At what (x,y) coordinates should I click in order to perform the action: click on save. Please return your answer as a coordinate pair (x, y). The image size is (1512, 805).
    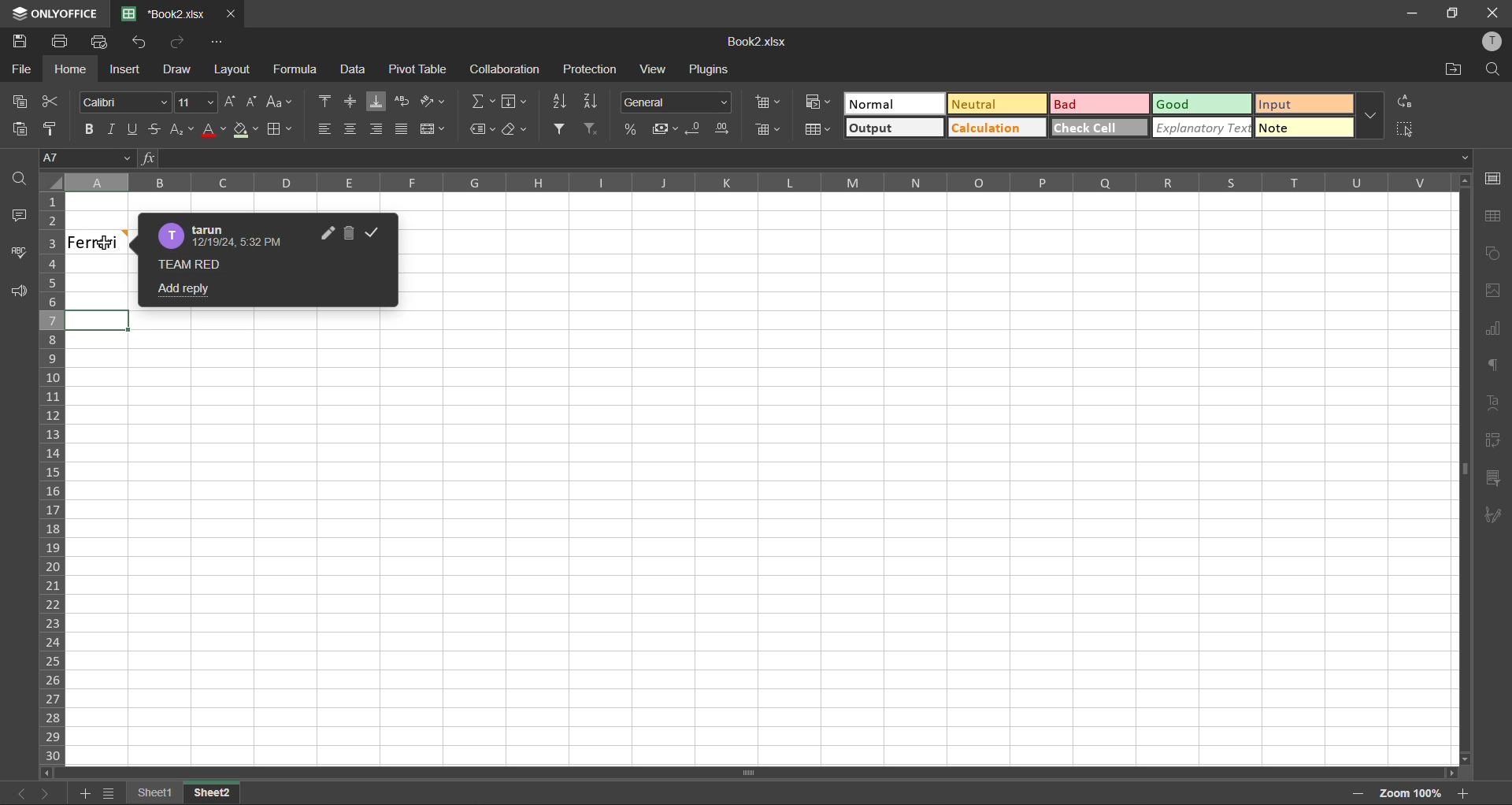
    Looking at the image, I should click on (17, 42).